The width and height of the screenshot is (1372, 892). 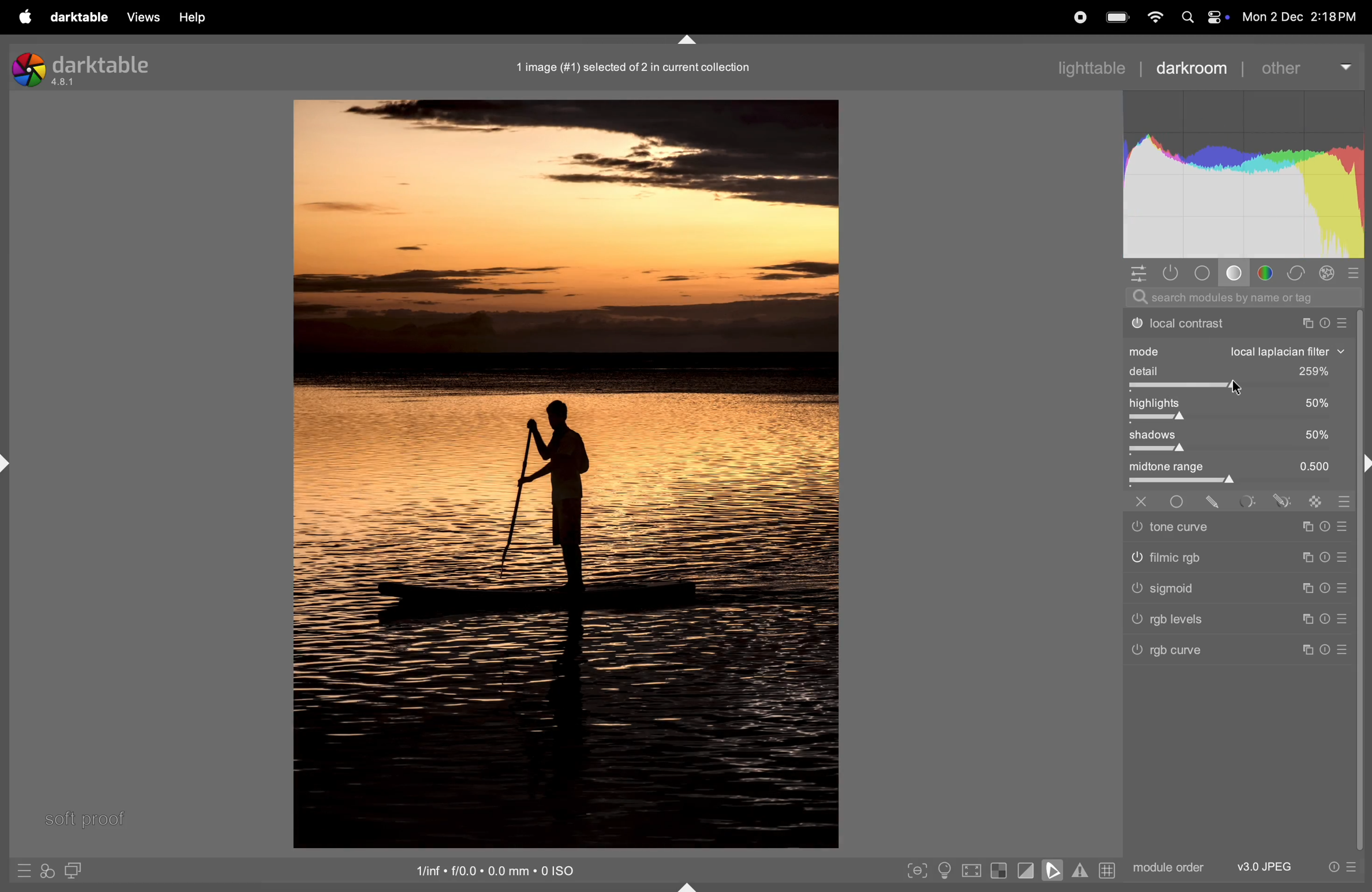 I want to click on sign, so click(x=1310, y=556).